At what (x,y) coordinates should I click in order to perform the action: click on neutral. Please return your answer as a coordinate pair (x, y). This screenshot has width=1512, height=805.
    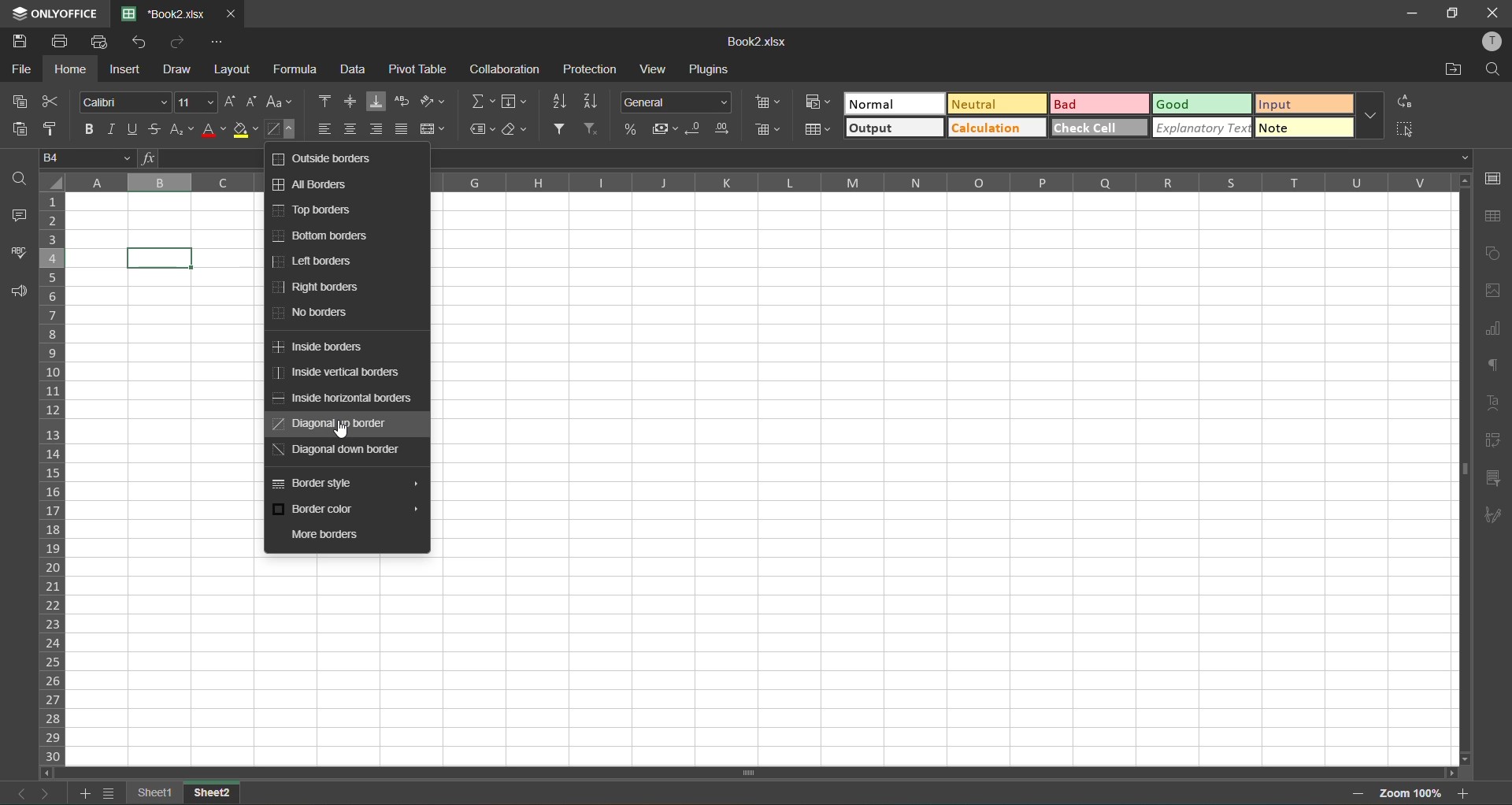
    Looking at the image, I should click on (995, 106).